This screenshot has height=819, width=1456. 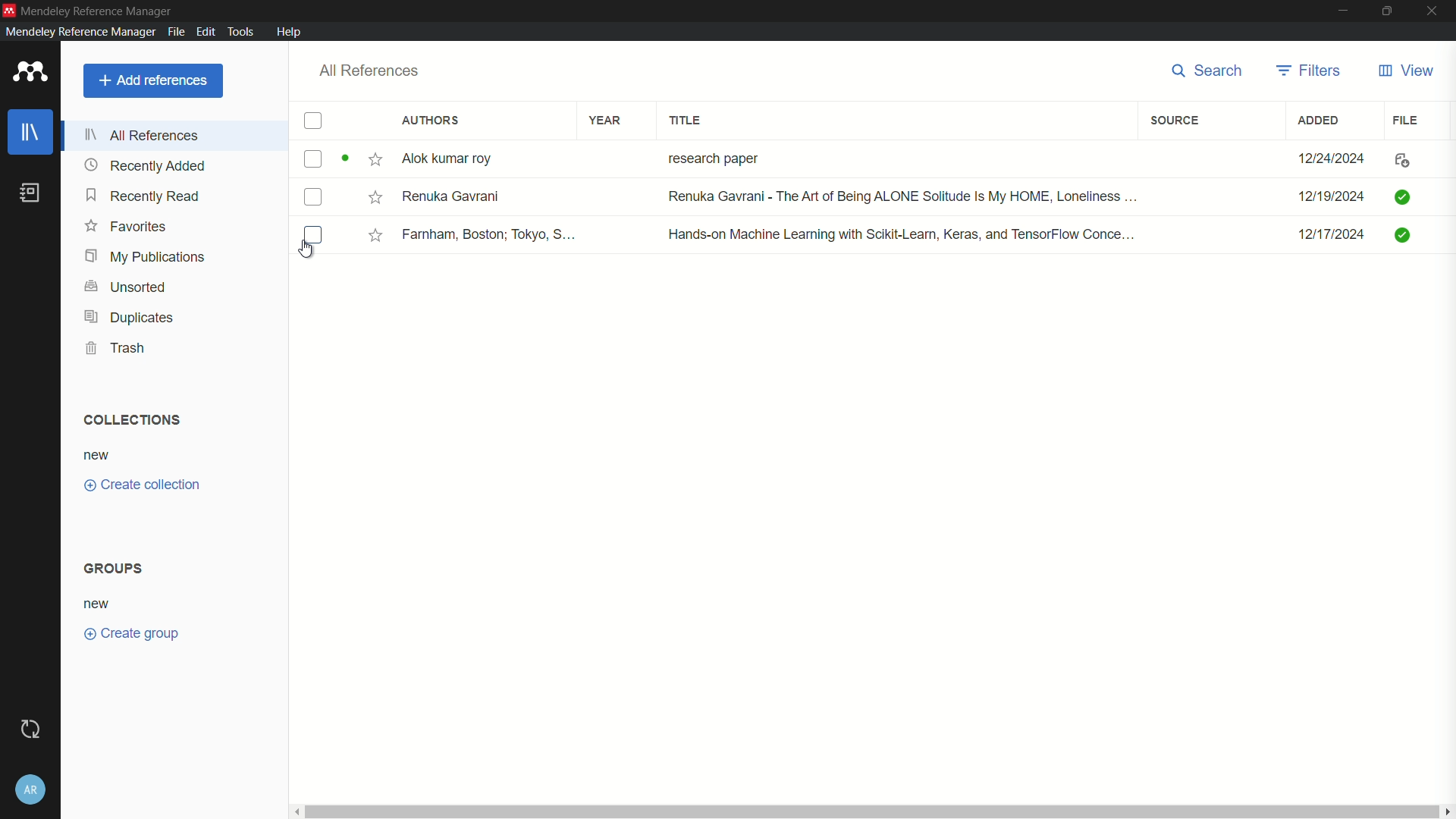 I want to click on file menu, so click(x=176, y=32).